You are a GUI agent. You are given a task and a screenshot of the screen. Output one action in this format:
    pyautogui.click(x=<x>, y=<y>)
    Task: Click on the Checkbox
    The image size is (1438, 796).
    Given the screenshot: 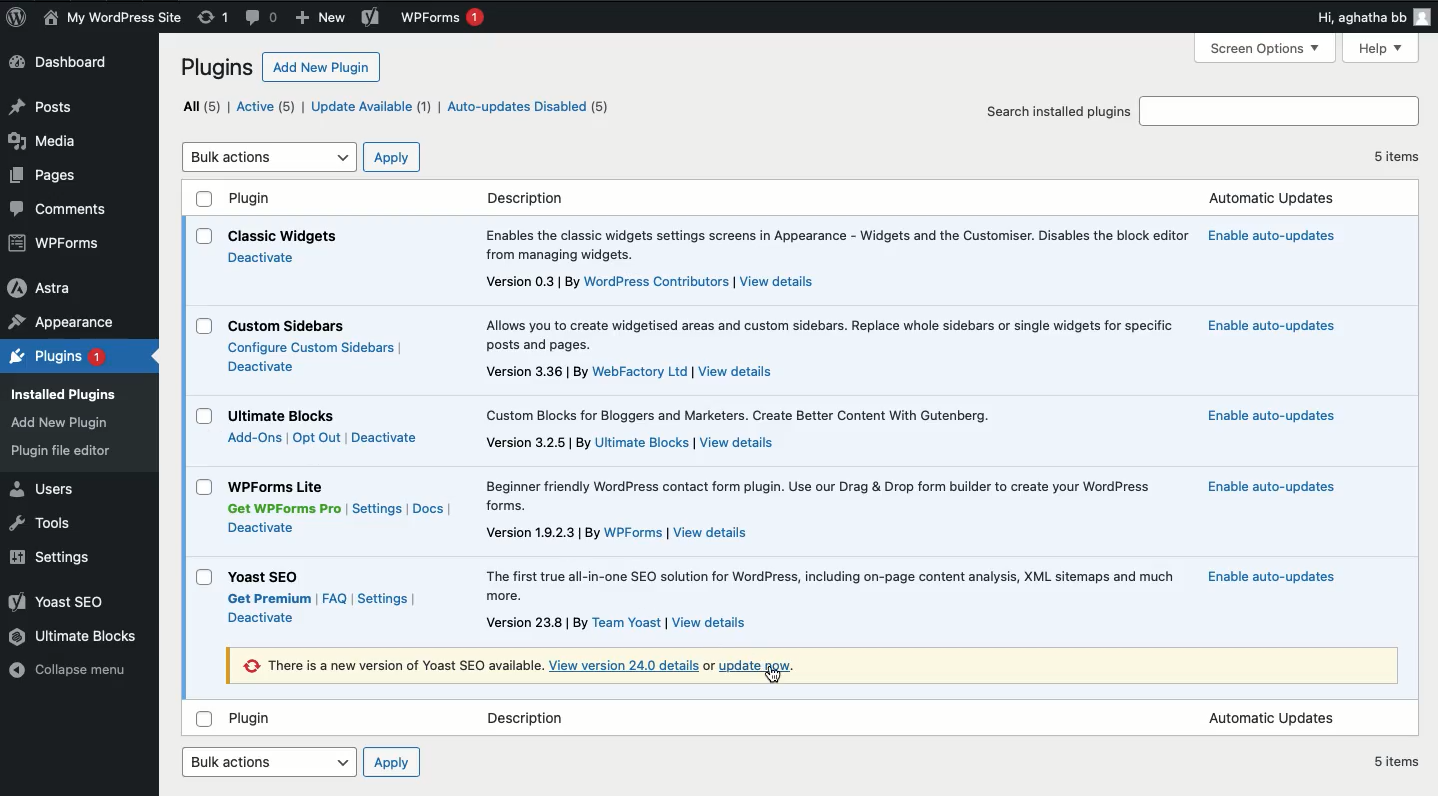 What is the action you would take?
    pyautogui.click(x=205, y=578)
    